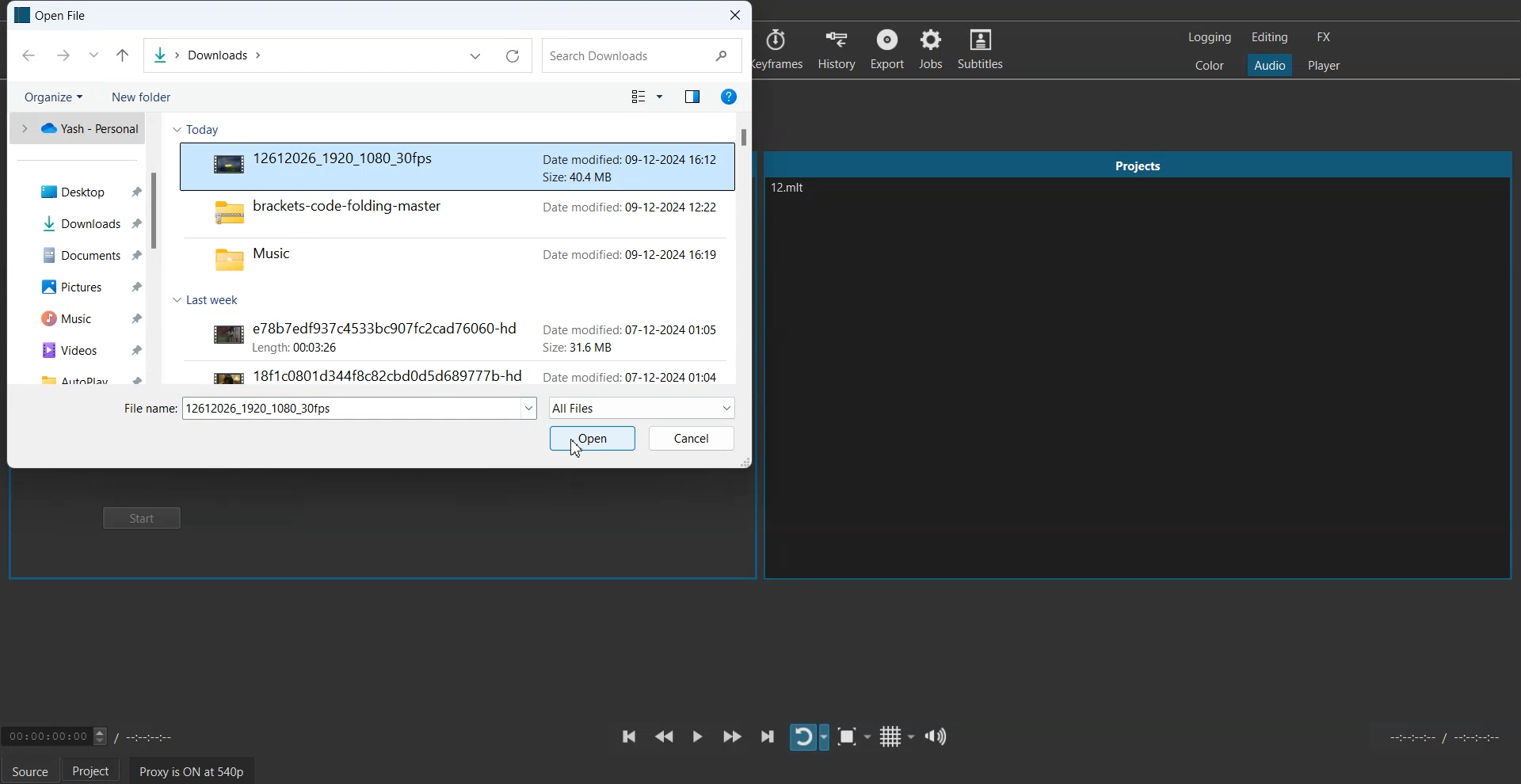 This screenshot has width=1521, height=784. I want to click on Export, so click(889, 48).